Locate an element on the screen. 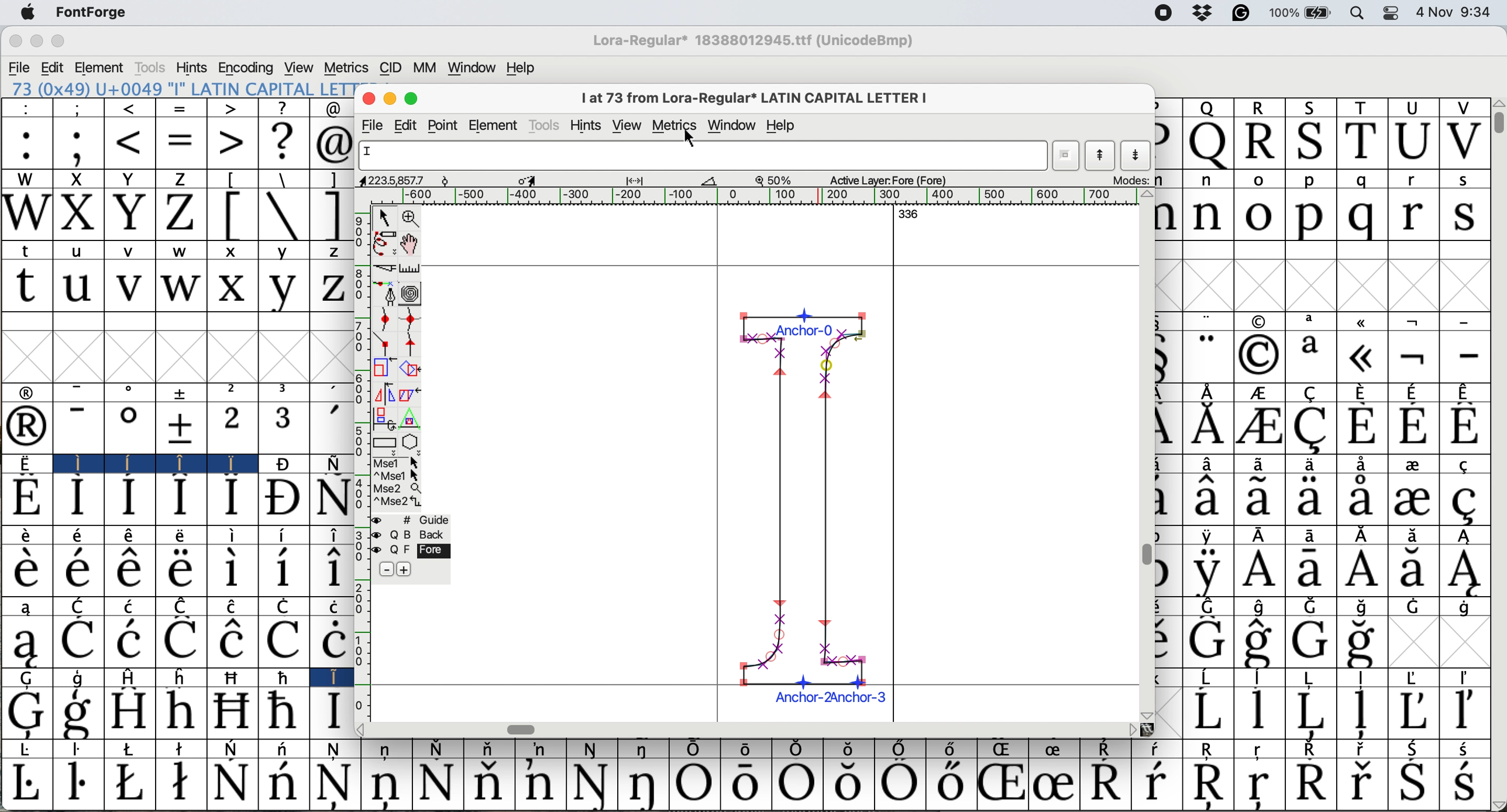 This screenshot has height=812, width=1507. Symbol is located at coordinates (1361, 572).